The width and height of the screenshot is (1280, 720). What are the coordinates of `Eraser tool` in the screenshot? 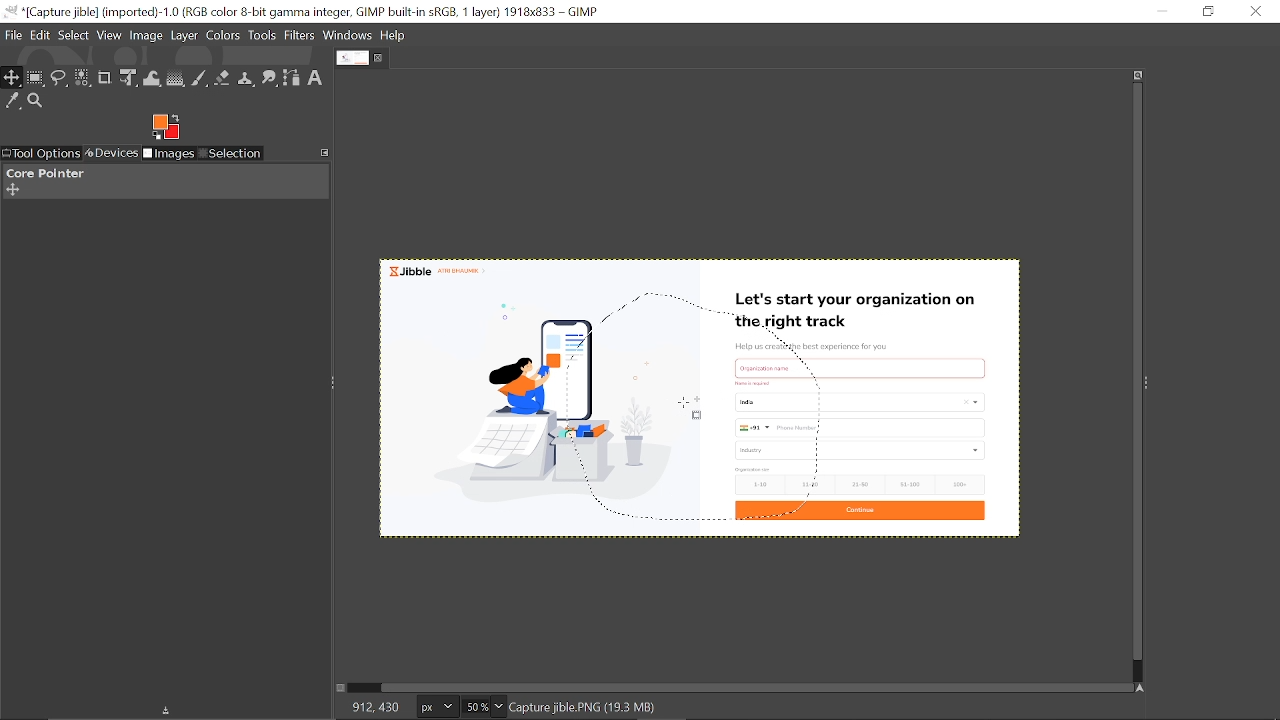 It's located at (222, 80).